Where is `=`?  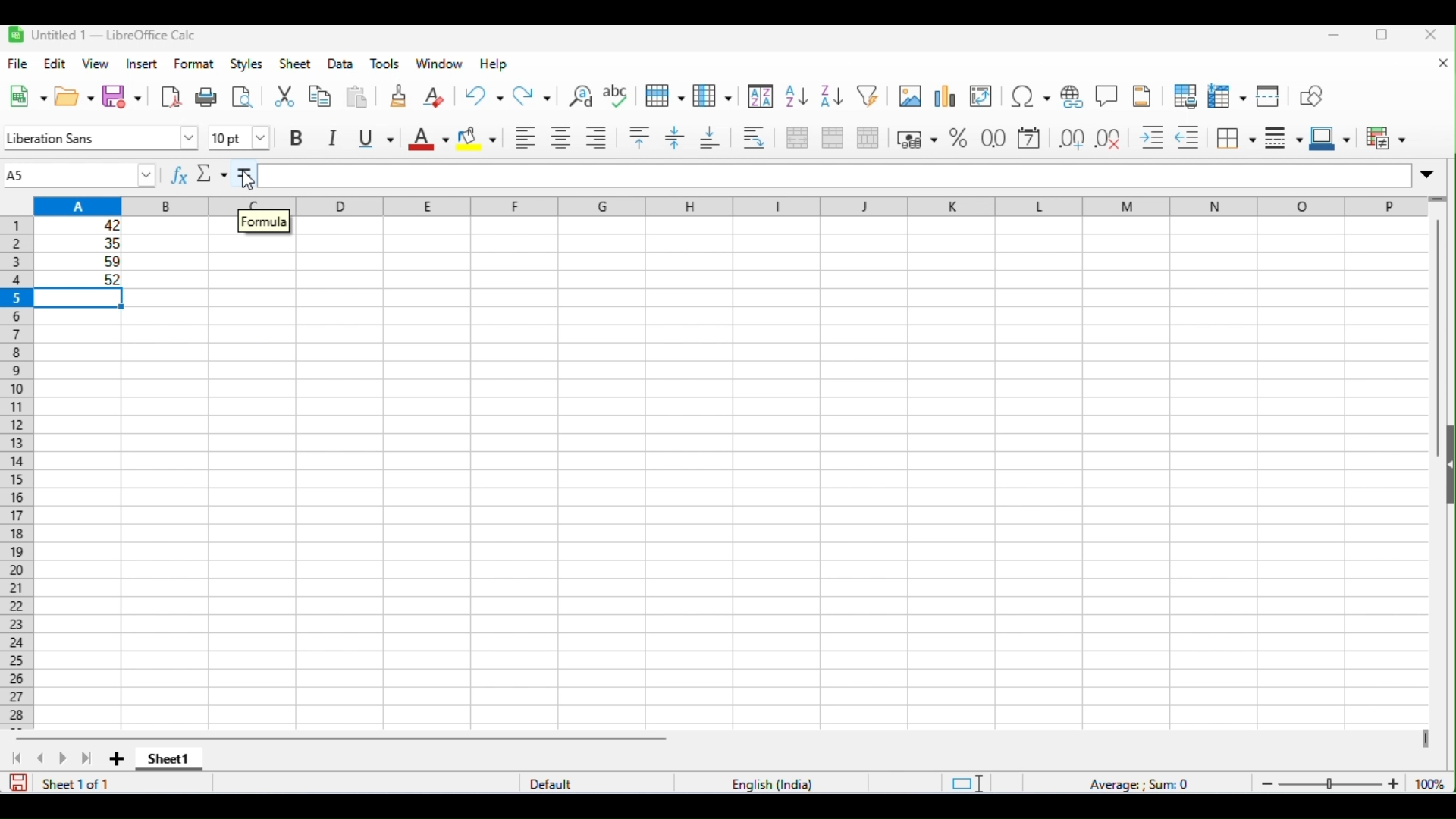 = is located at coordinates (246, 172).